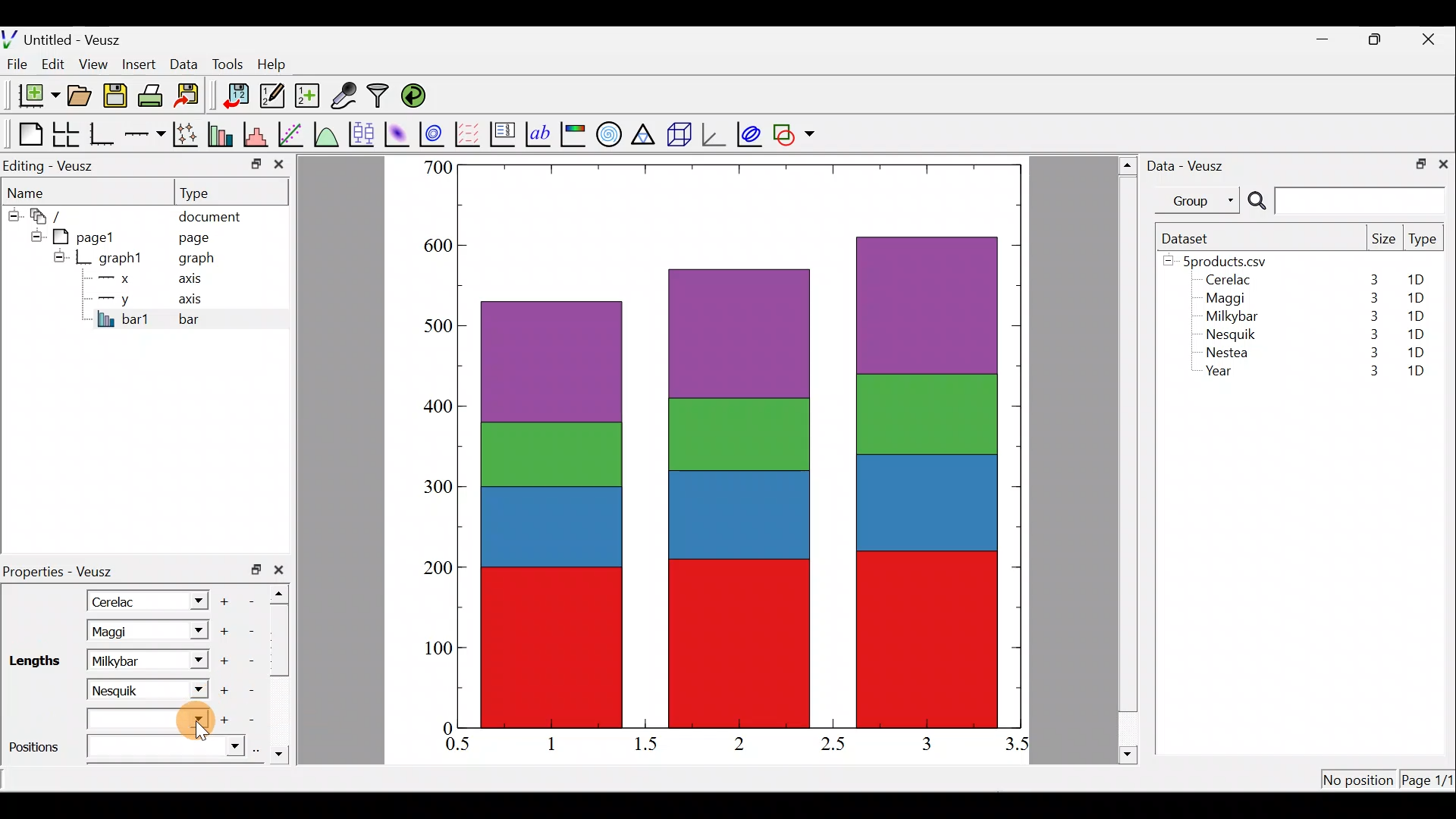  What do you see at coordinates (432, 325) in the screenshot?
I see `500` at bounding box center [432, 325].